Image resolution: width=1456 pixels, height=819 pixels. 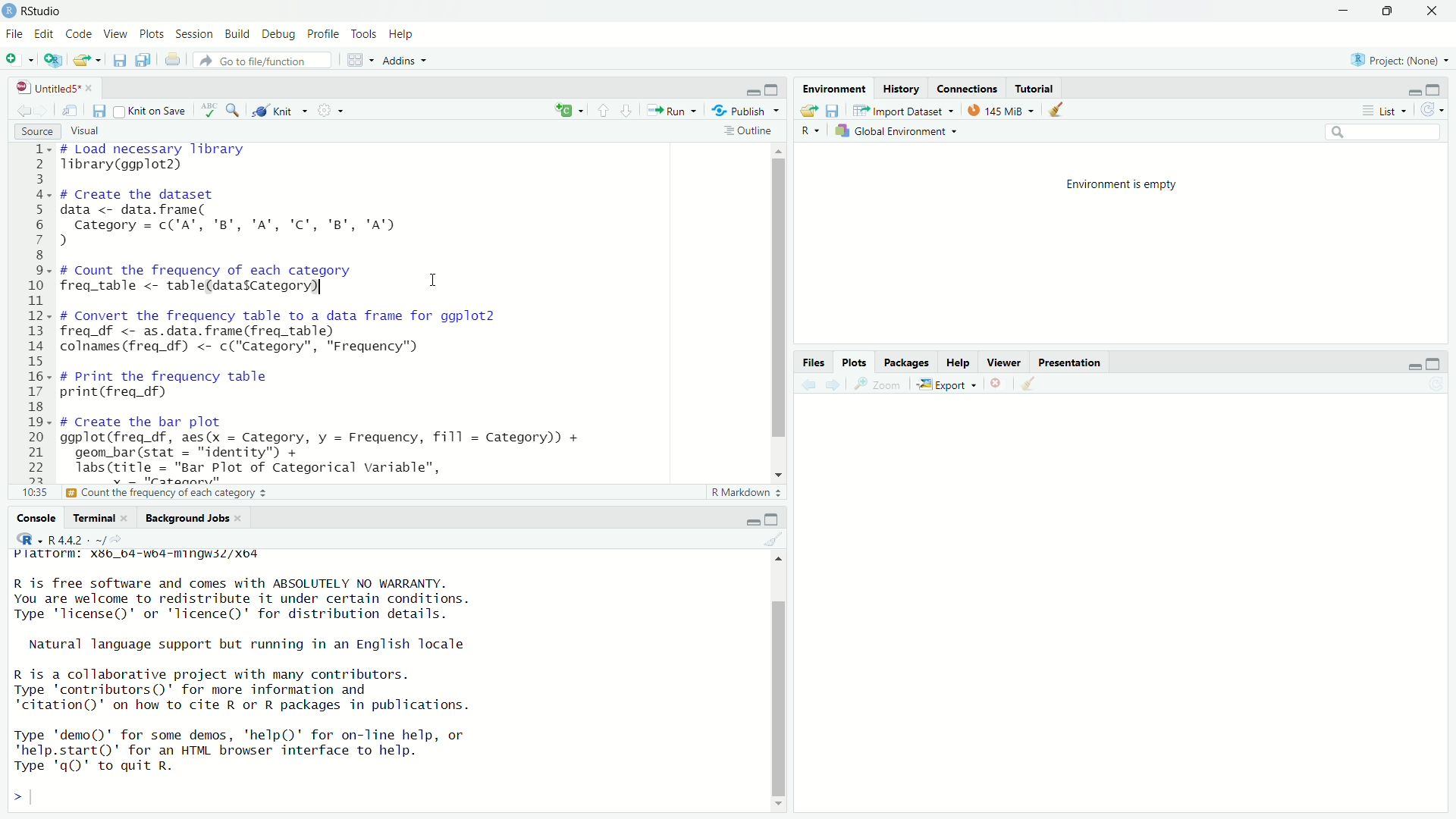 What do you see at coordinates (780, 297) in the screenshot?
I see `vertical scrollbar` at bounding box center [780, 297].